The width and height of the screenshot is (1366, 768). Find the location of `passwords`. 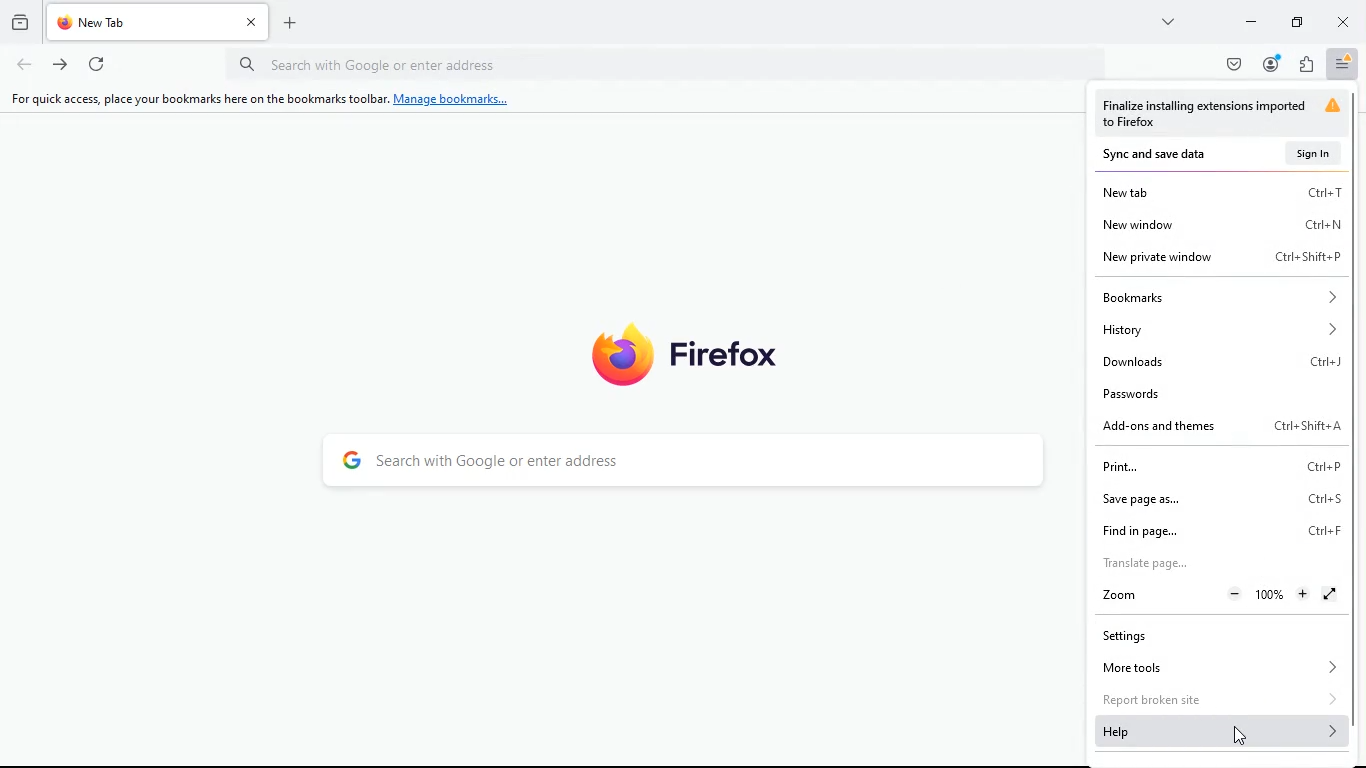

passwords is located at coordinates (1216, 394).